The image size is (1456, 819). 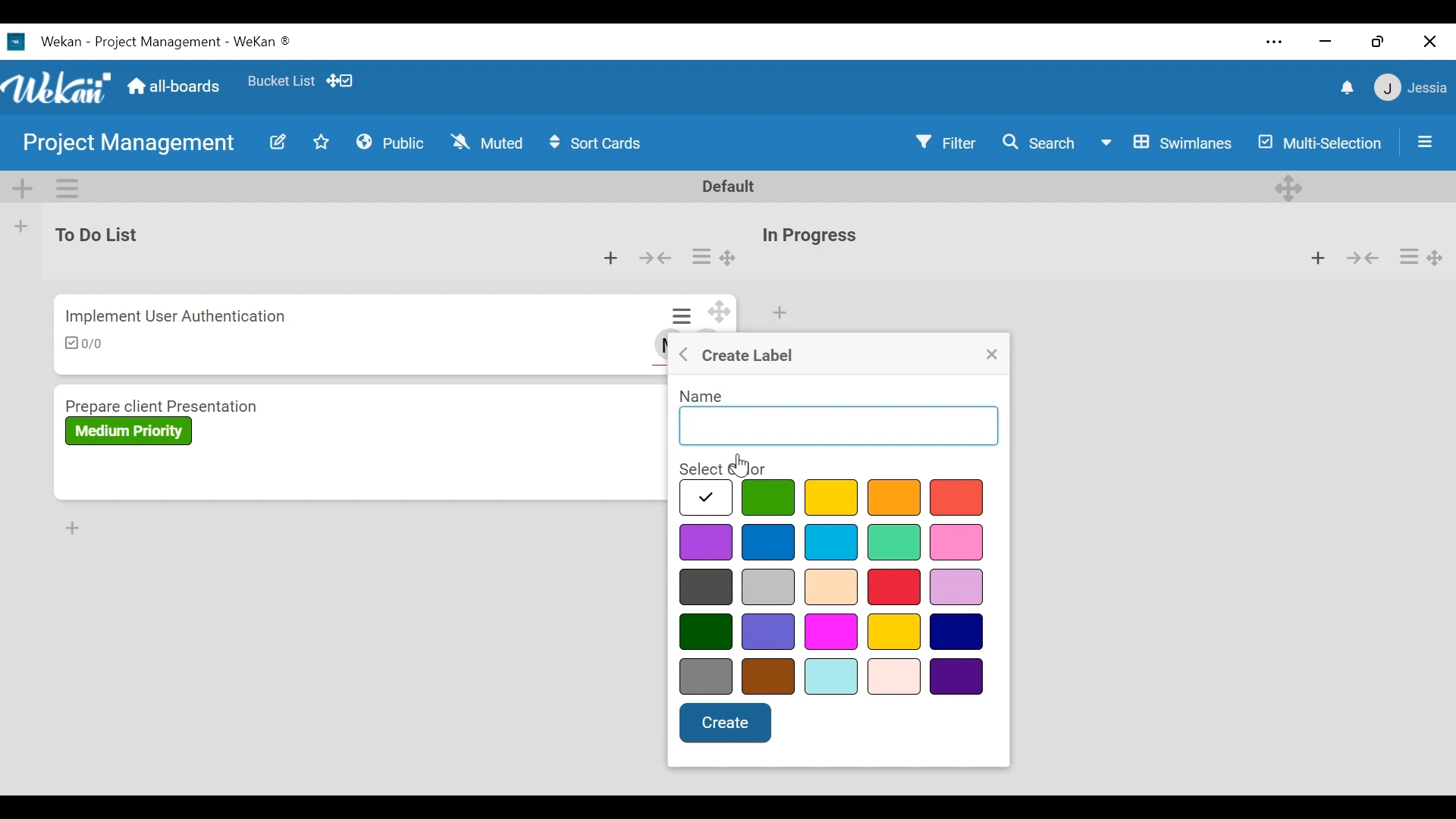 I want to click on Go back, so click(x=686, y=353).